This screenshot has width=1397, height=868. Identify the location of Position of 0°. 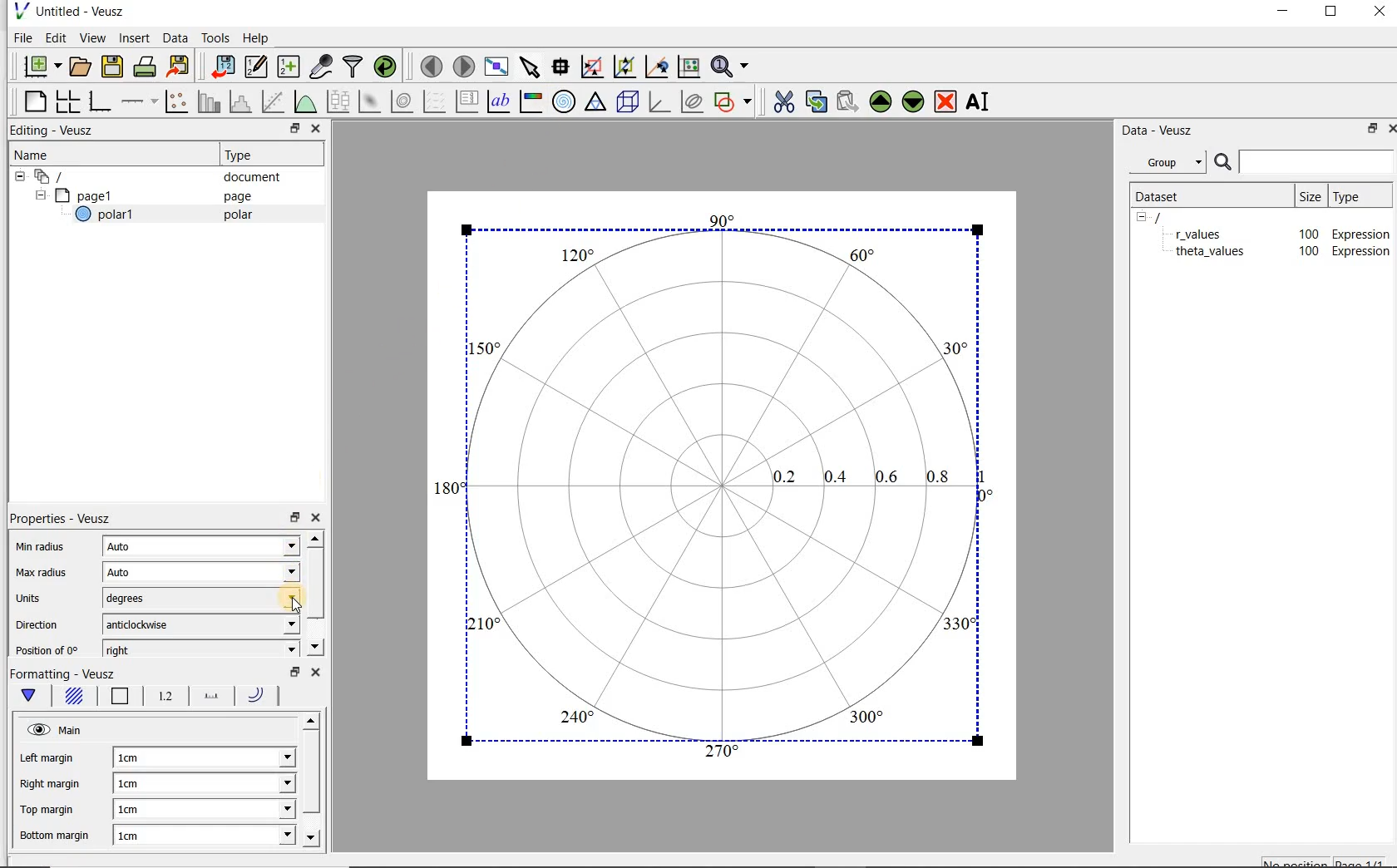
(52, 649).